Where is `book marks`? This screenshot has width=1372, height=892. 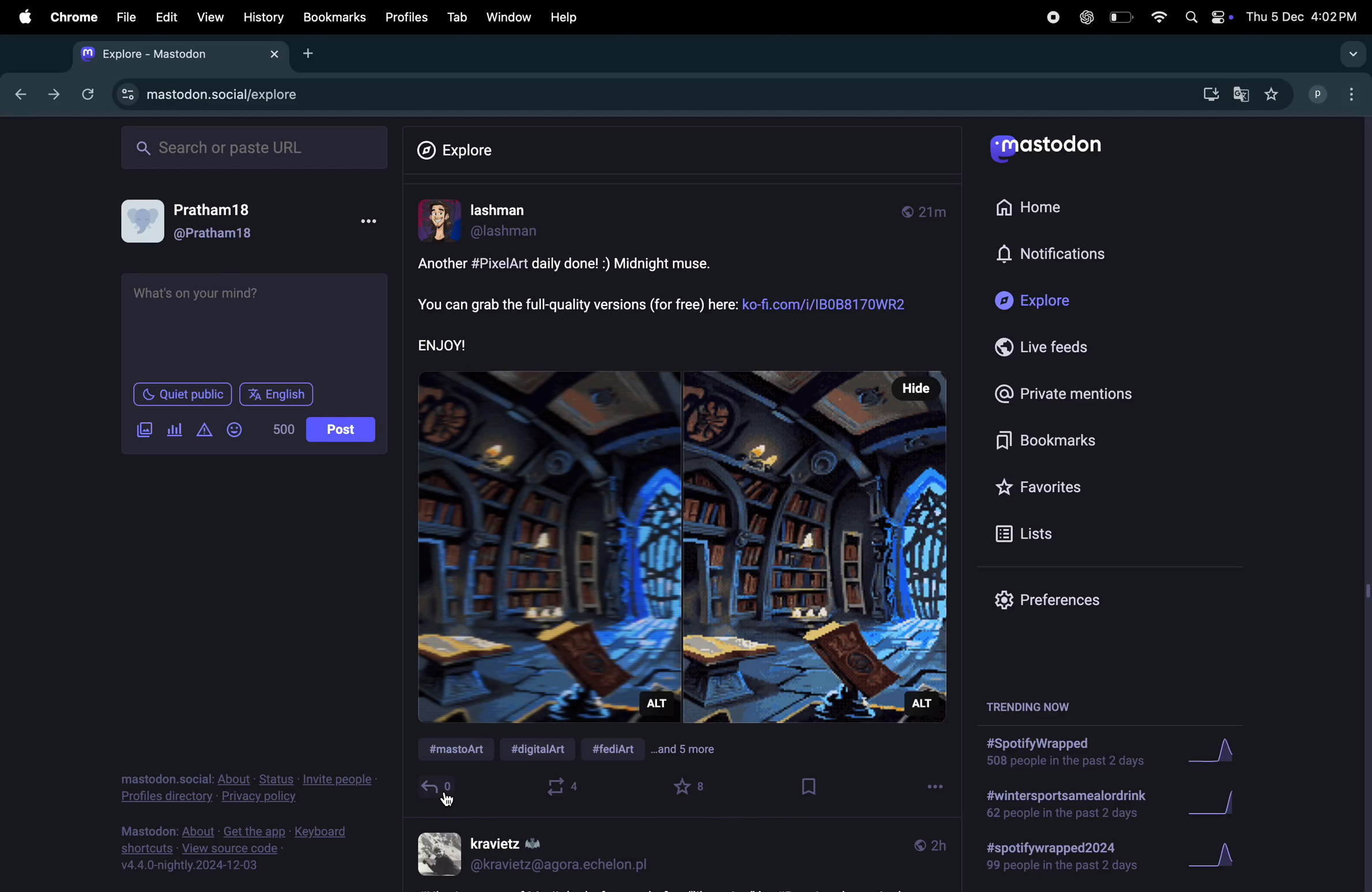 book marks is located at coordinates (1064, 440).